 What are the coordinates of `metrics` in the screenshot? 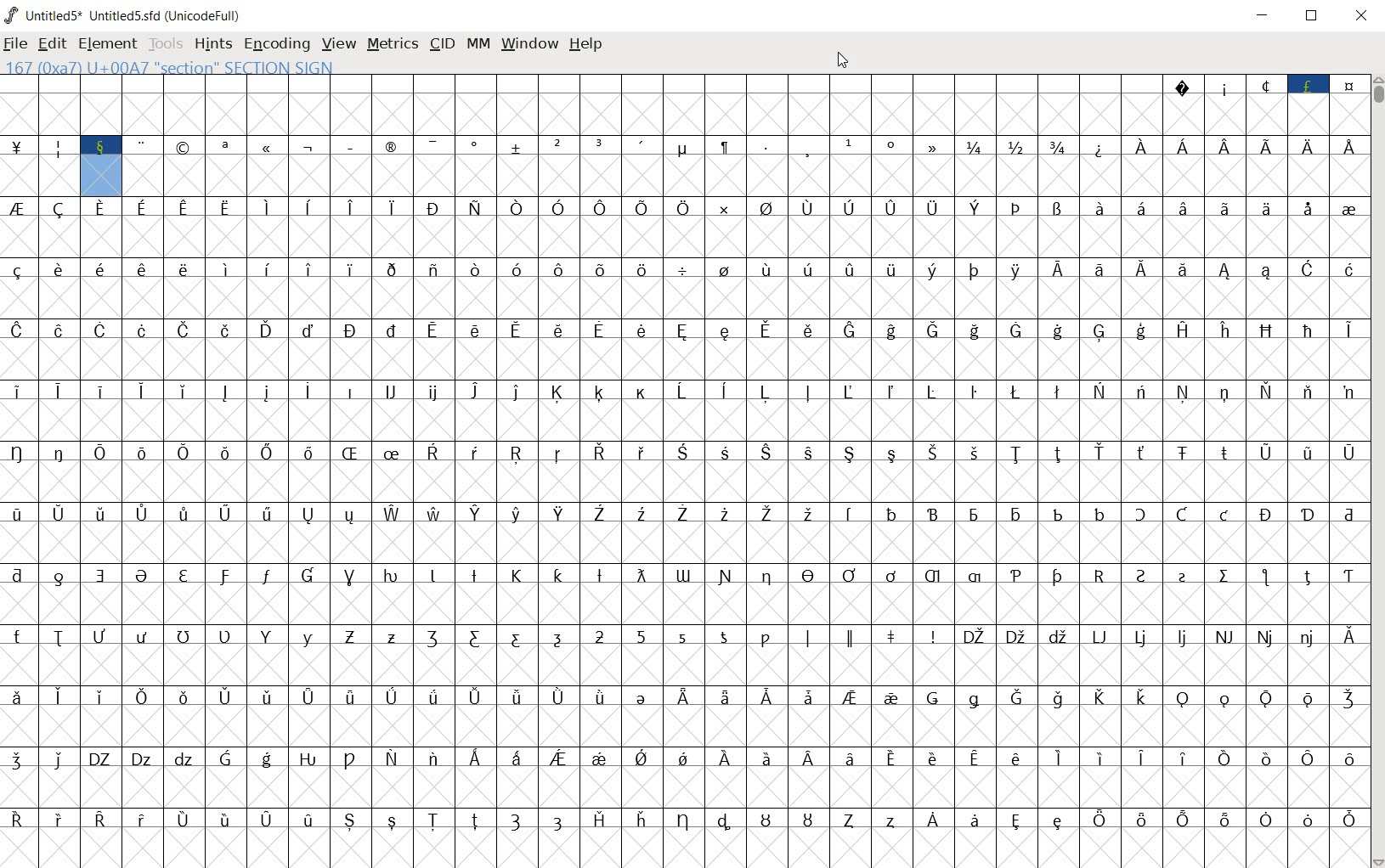 It's located at (392, 45).